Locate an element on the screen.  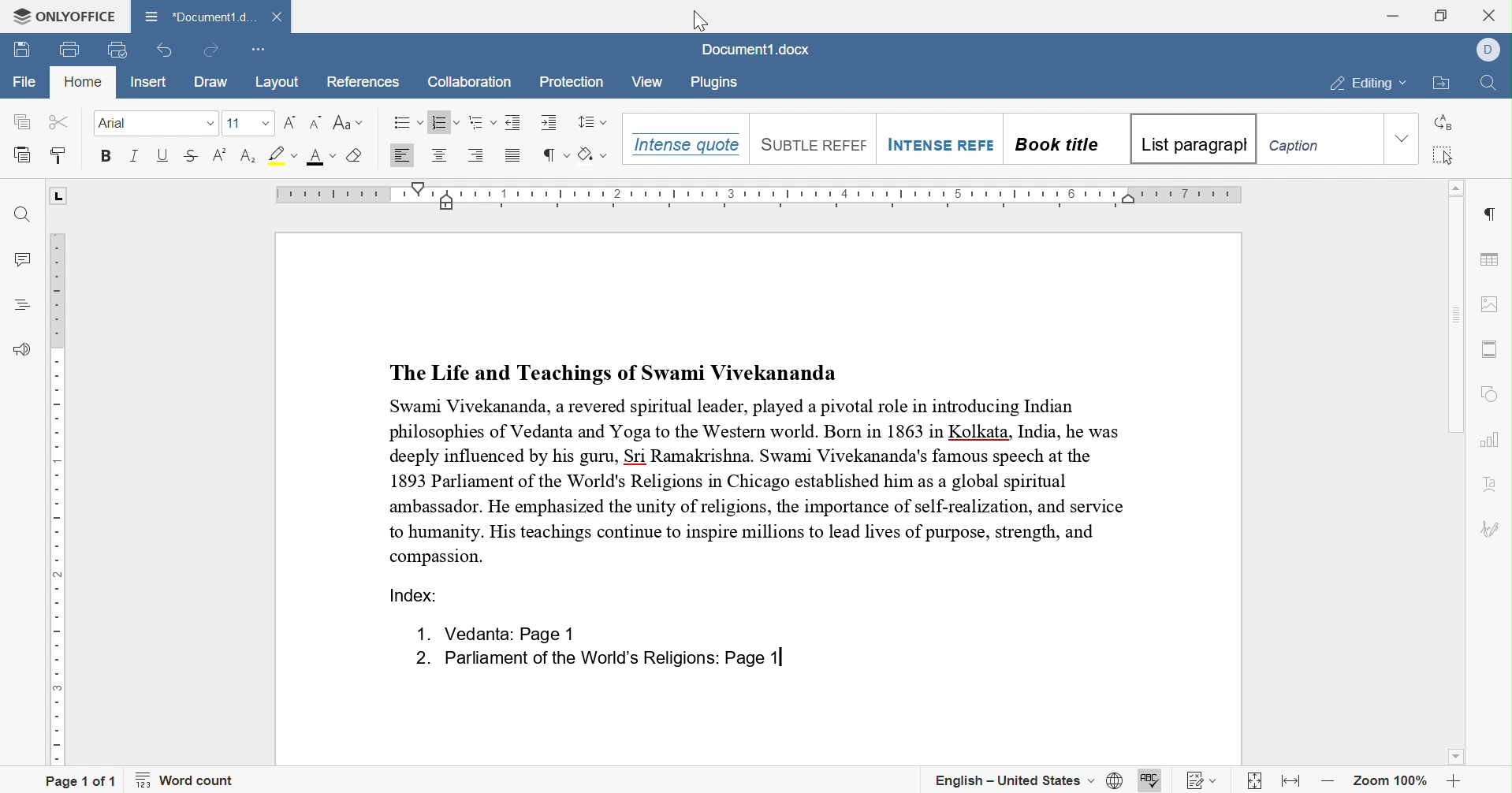
decrease indent is located at coordinates (515, 122).